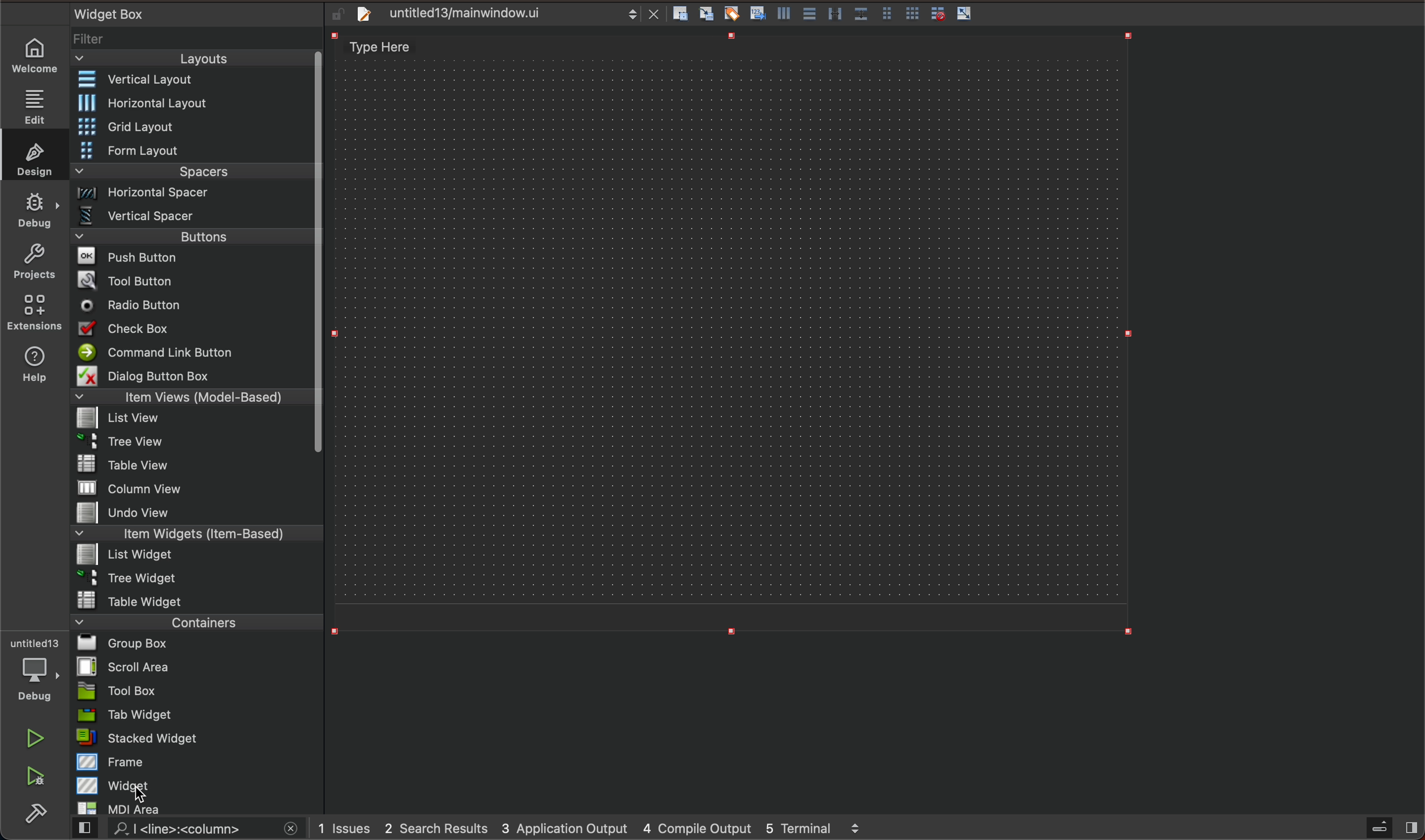  What do you see at coordinates (834, 14) in the screenshot?
I see `vertical splitter` at bounding box center [834, 14].